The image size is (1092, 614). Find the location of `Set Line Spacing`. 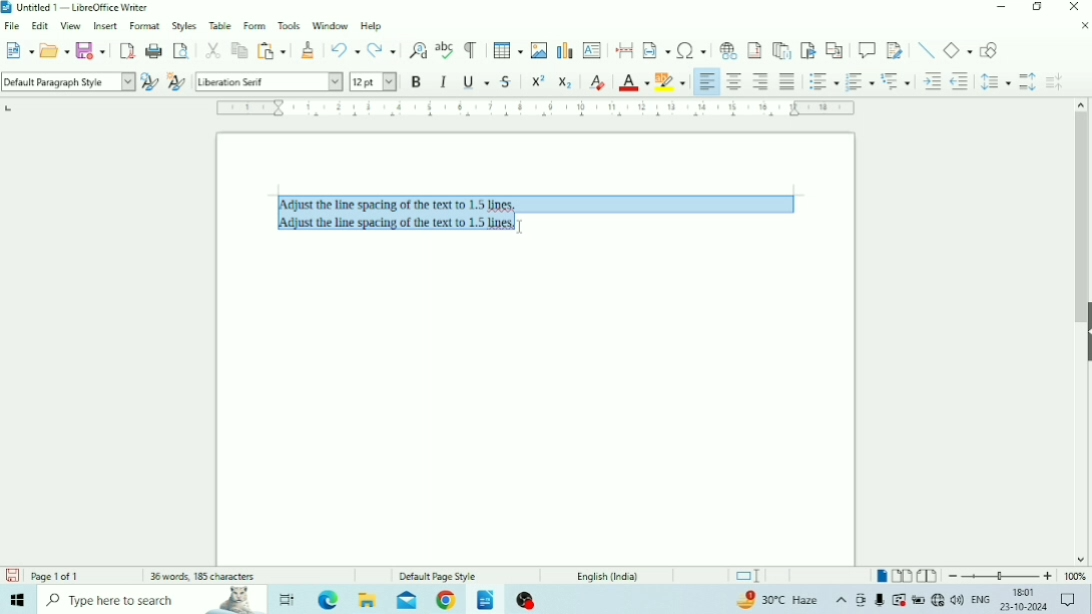

Set Line Spacing is located at coordinates (995, 82).